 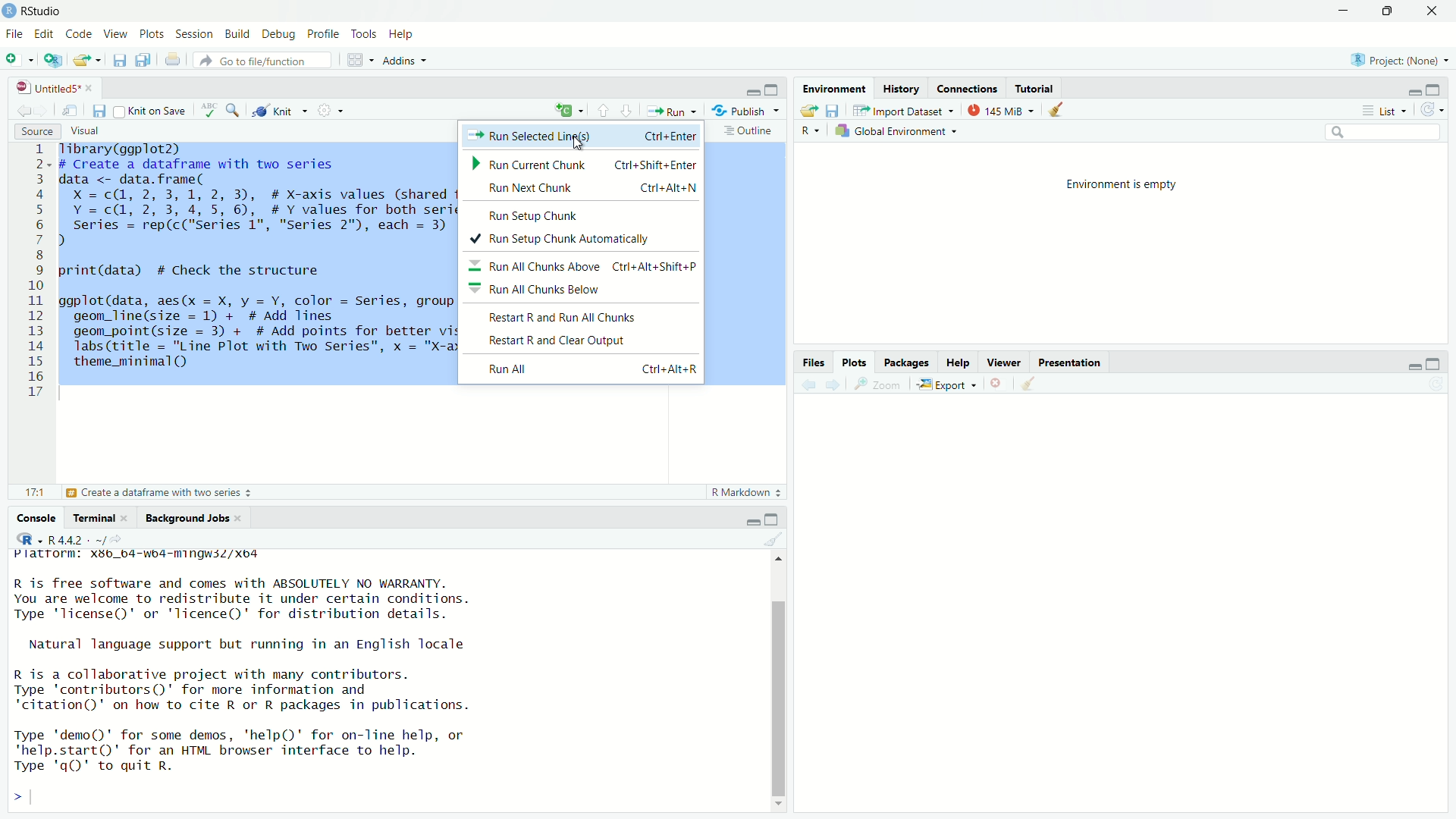 What do you see at coordinates (122, 61) in the screenshot?
I see `Save current document` at bounding box center [122, 61].